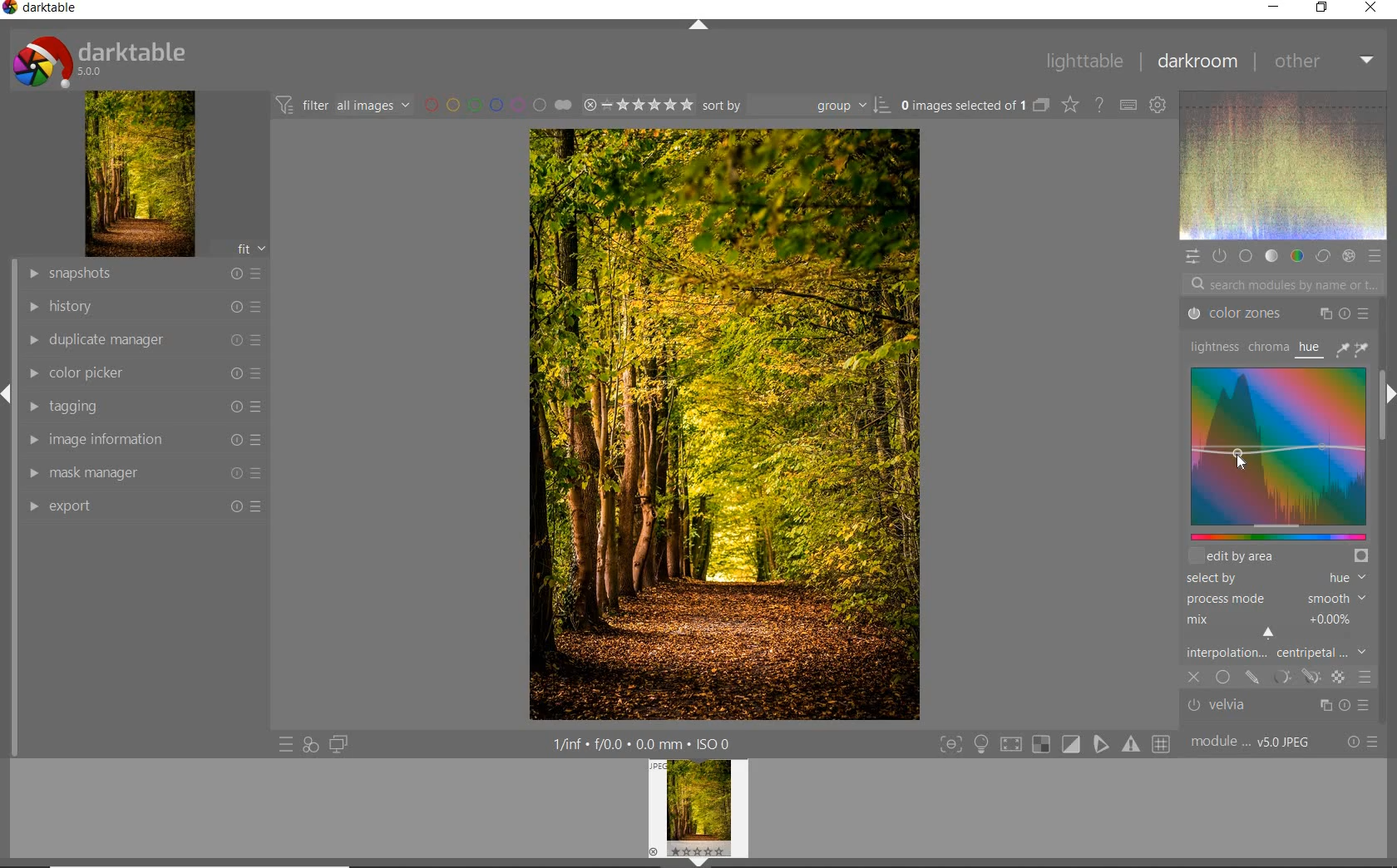 This screenshot has height=868, width=1397. Describe the element at coordinates (1054, 745) in the screenshot. I see `TOGGLE MODES` at that location.